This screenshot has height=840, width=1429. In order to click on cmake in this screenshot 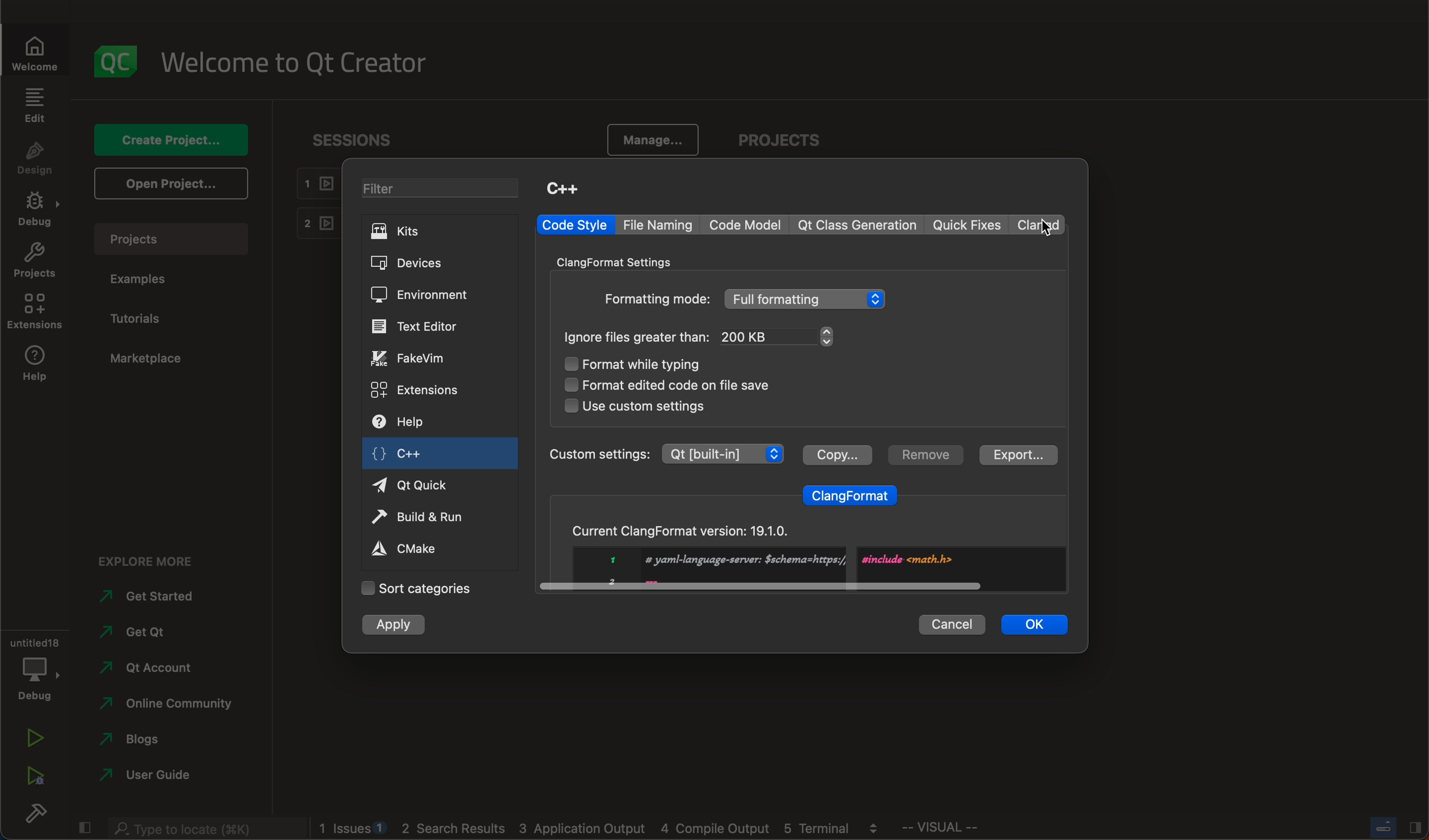, I will do `click(421, 549)`.